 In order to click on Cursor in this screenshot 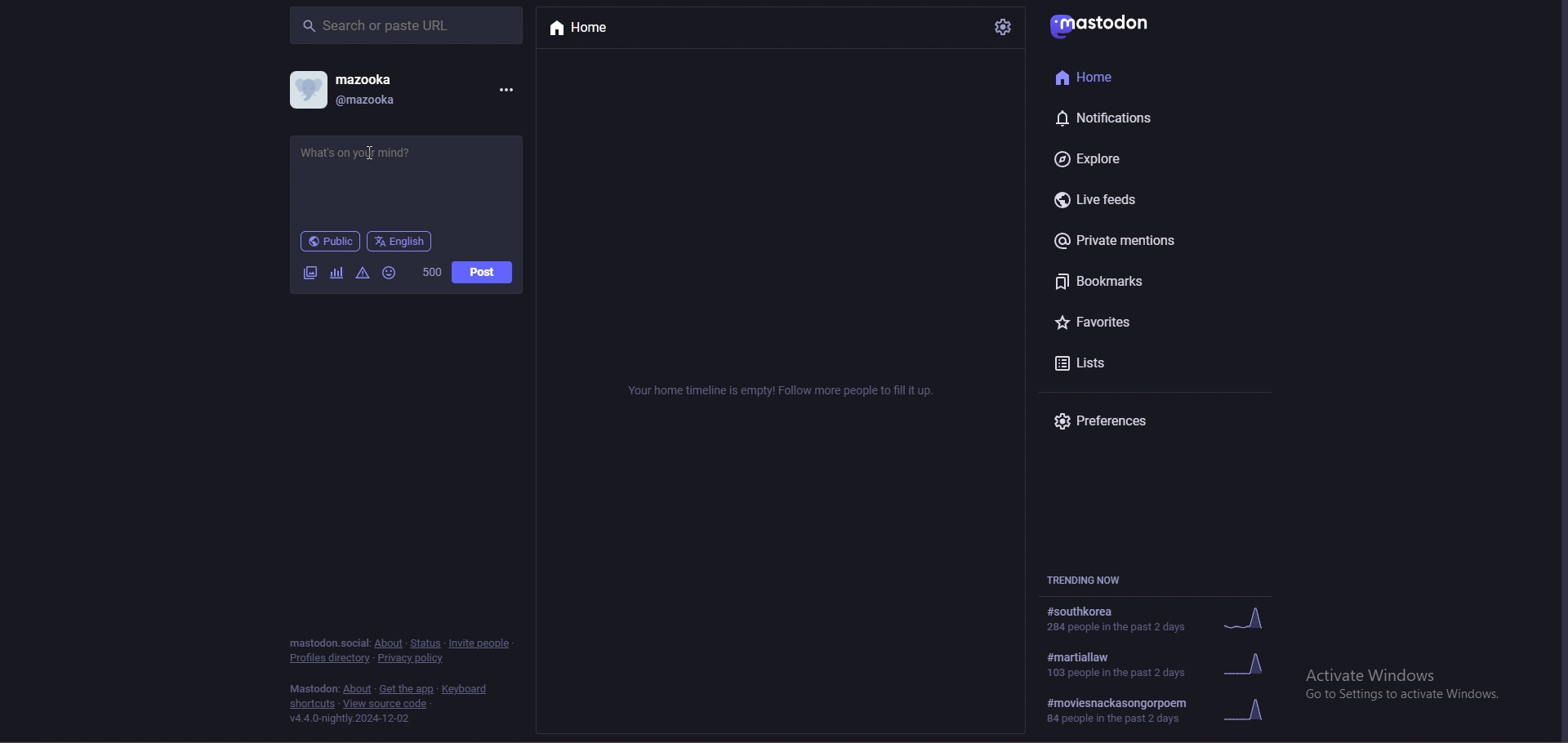, I will do `click(363, 145)`.